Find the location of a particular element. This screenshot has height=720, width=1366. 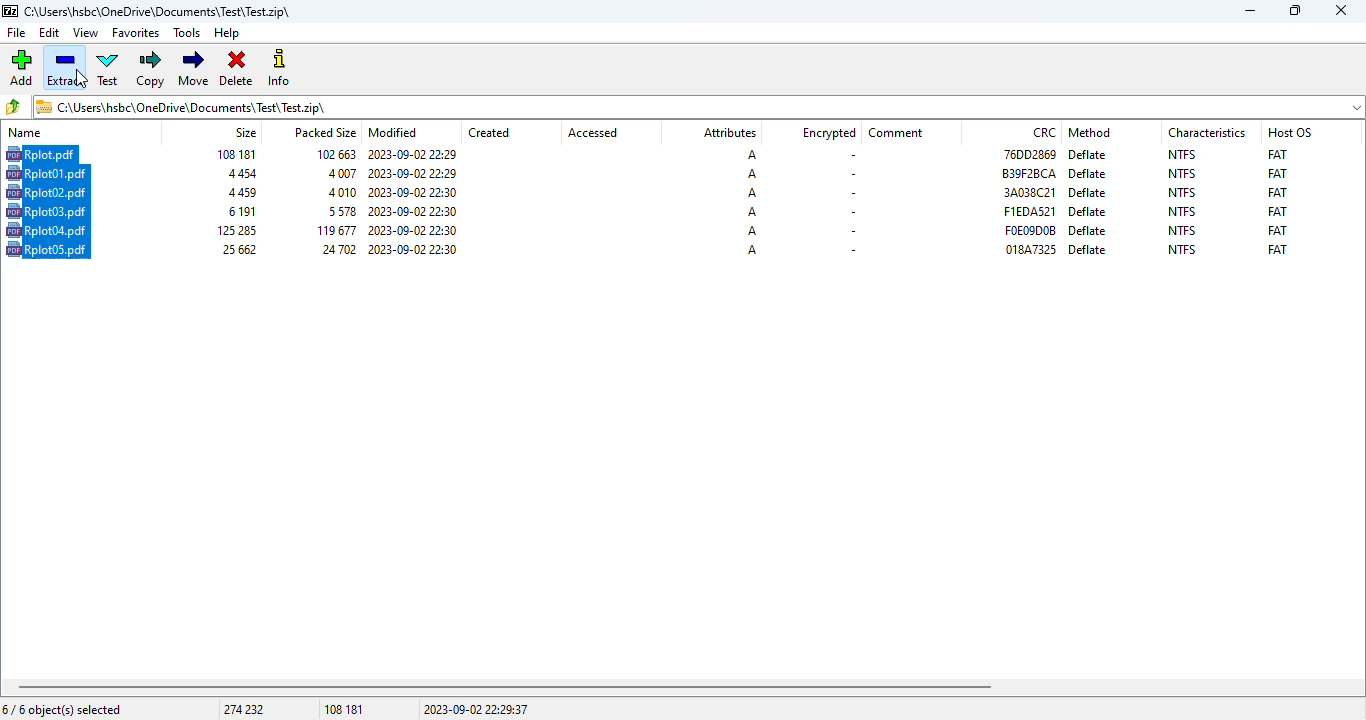

test is located at coordinates (109, 69).